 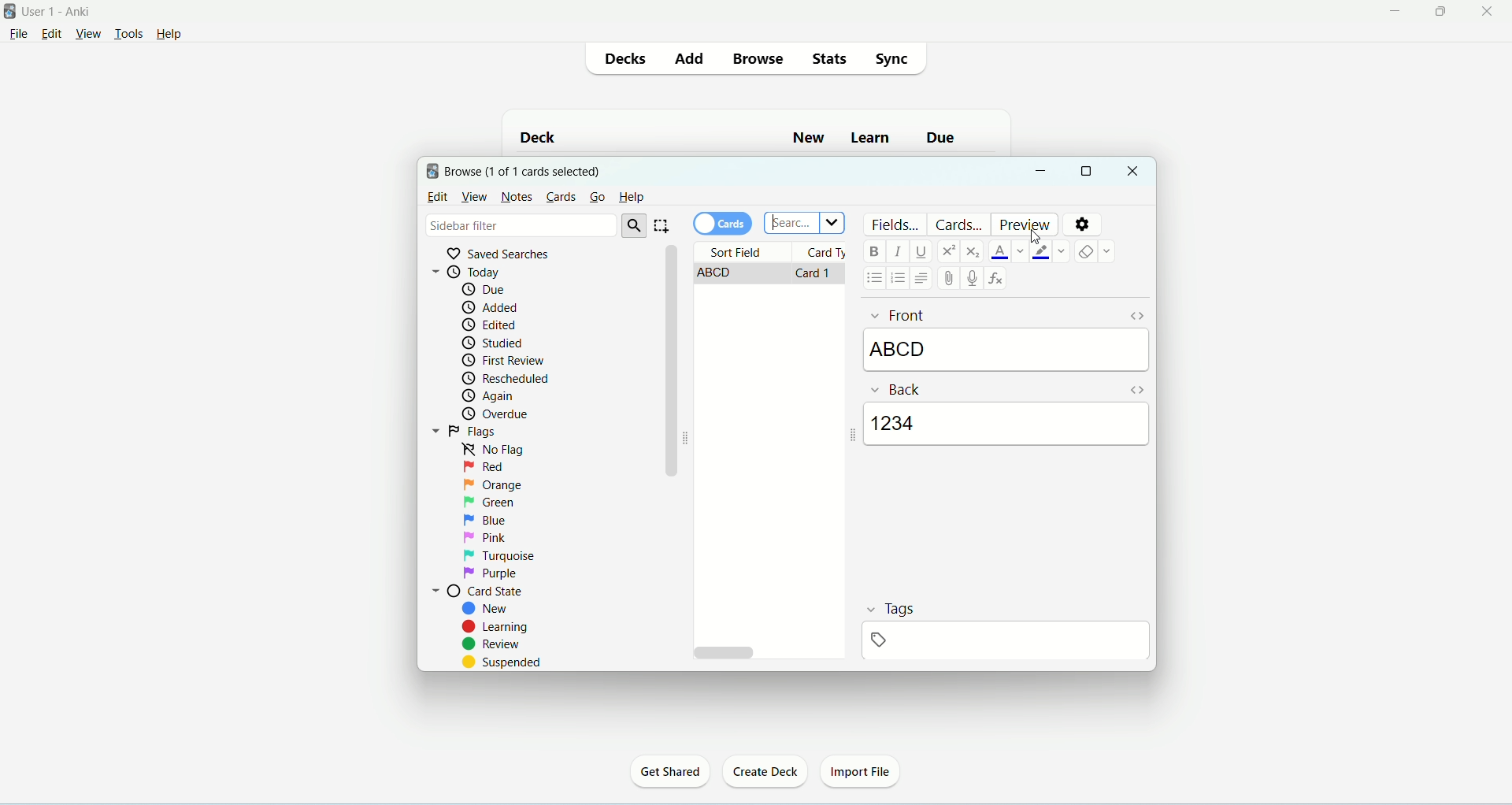 I want to click on text color, so click(x=1010, y=251).